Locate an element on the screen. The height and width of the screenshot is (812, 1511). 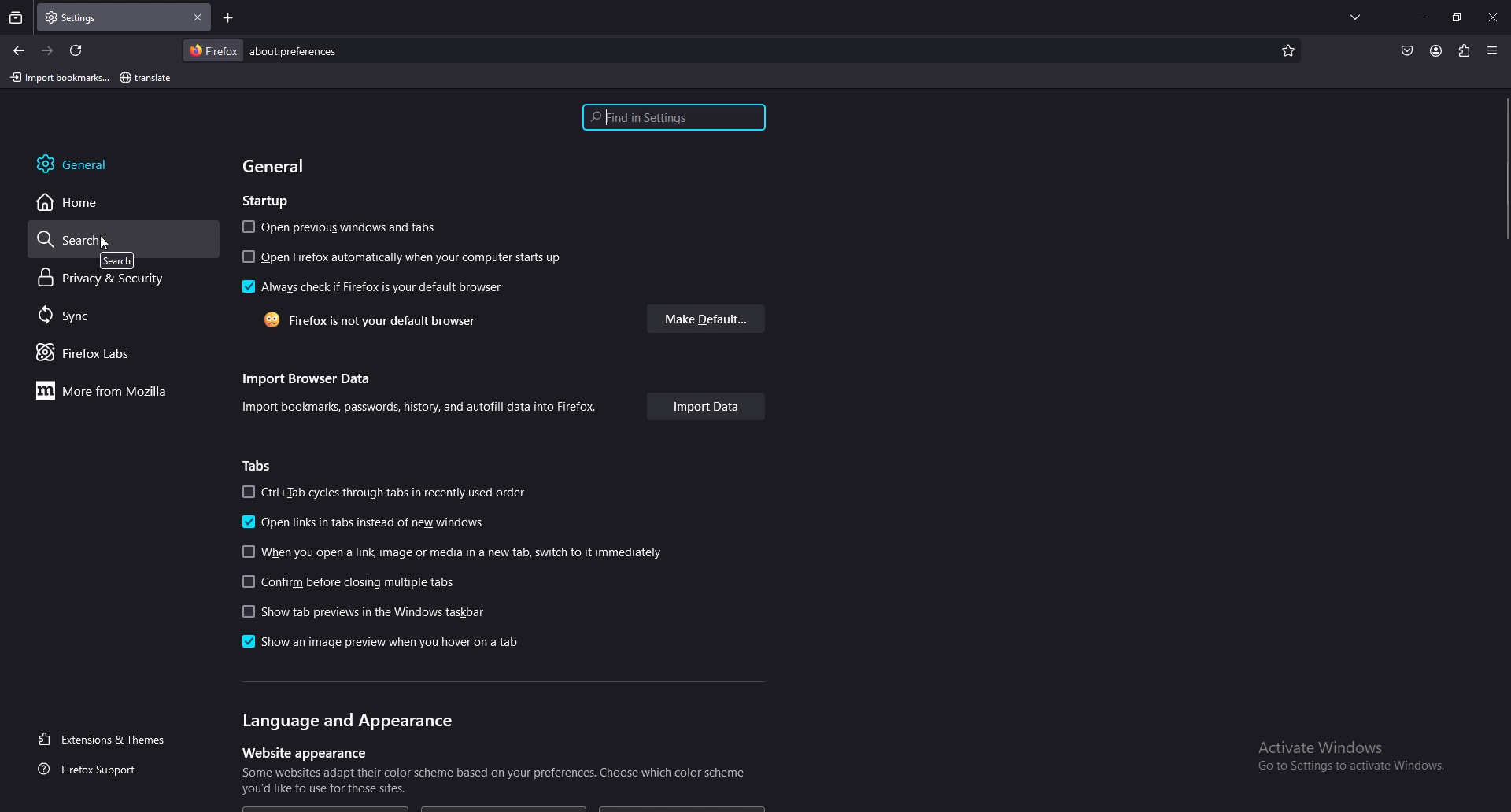
general is located at coordinates (125, 164).